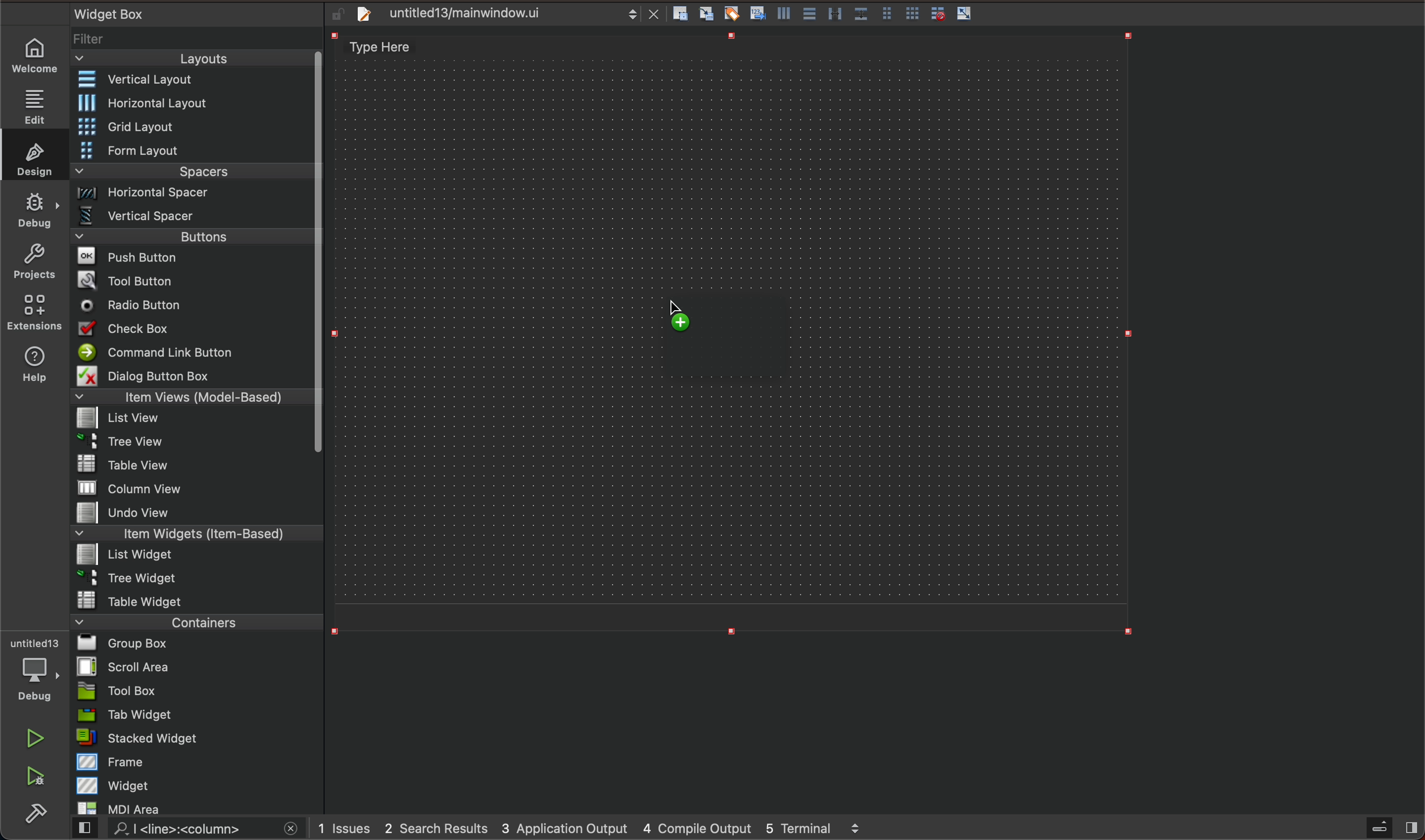 The image size is (1425, 840). I want to click on scroll area, so click(195, 666).